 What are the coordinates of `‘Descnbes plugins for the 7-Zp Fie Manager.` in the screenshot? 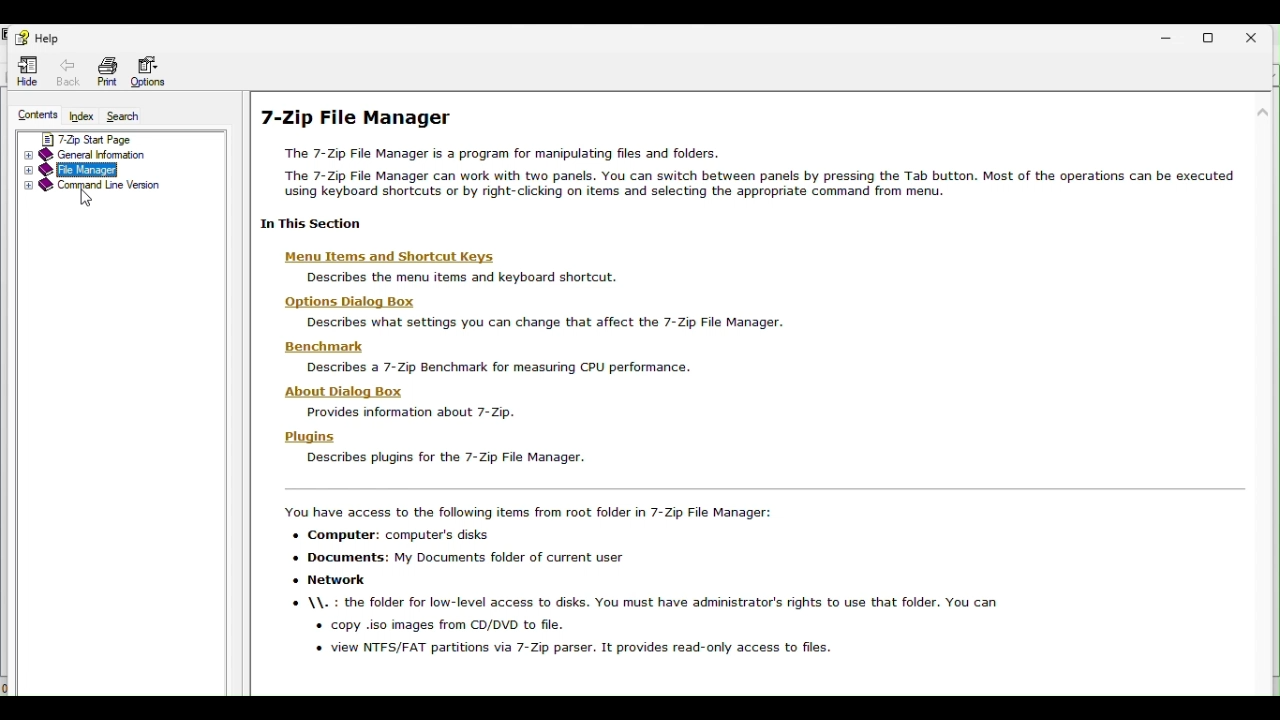 It's located at (442, 459).